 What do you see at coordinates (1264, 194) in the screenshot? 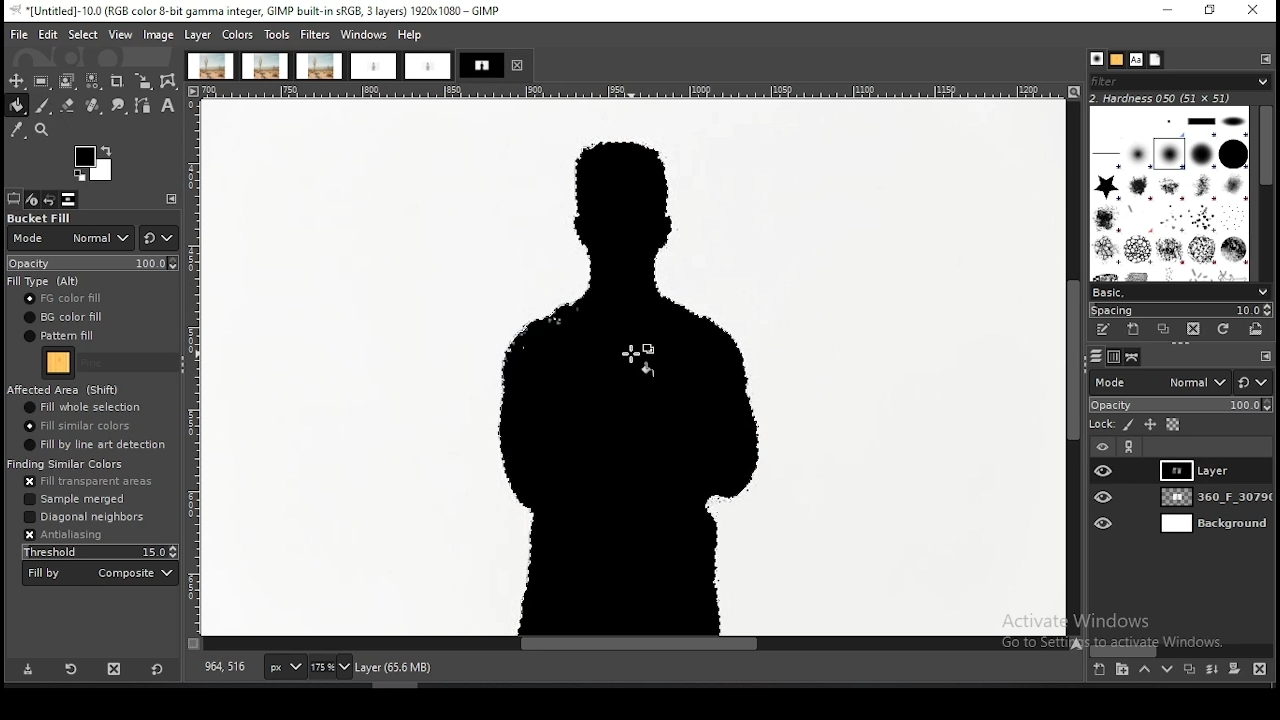
I see `scroll bar` at bounding box center [1264, 194].